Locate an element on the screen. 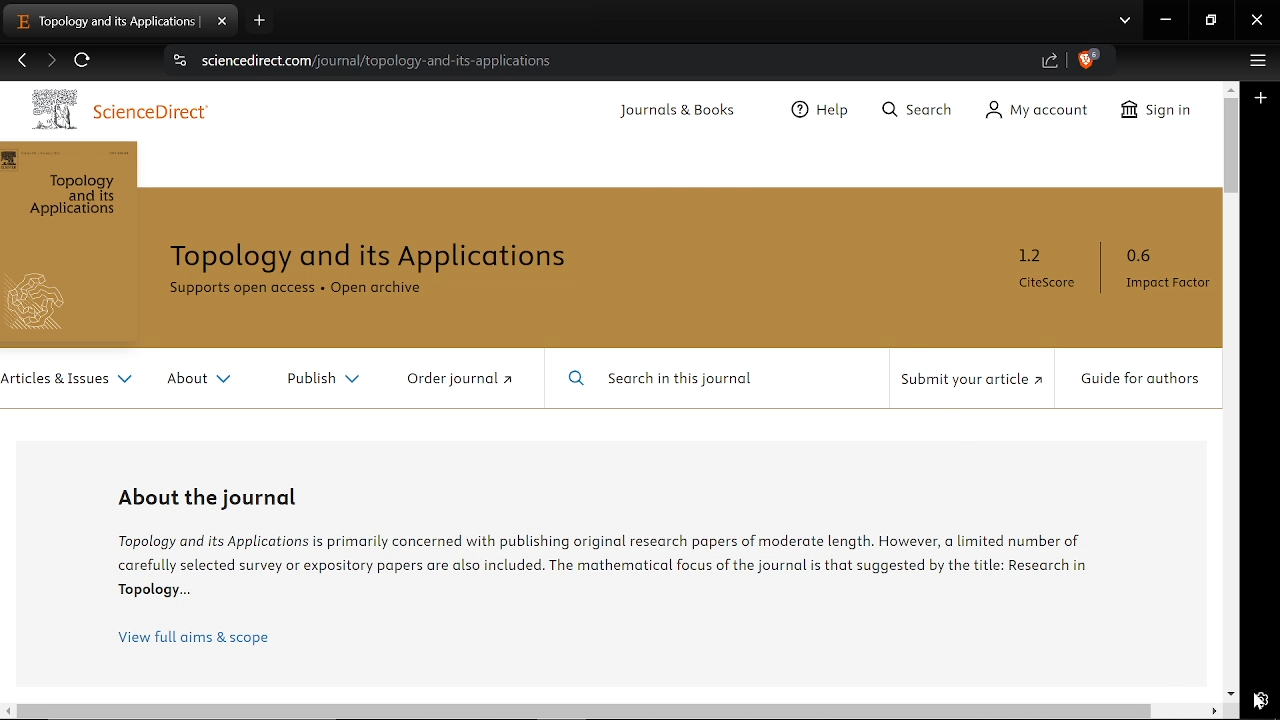  Refesh is located at coordinates (83, 63).